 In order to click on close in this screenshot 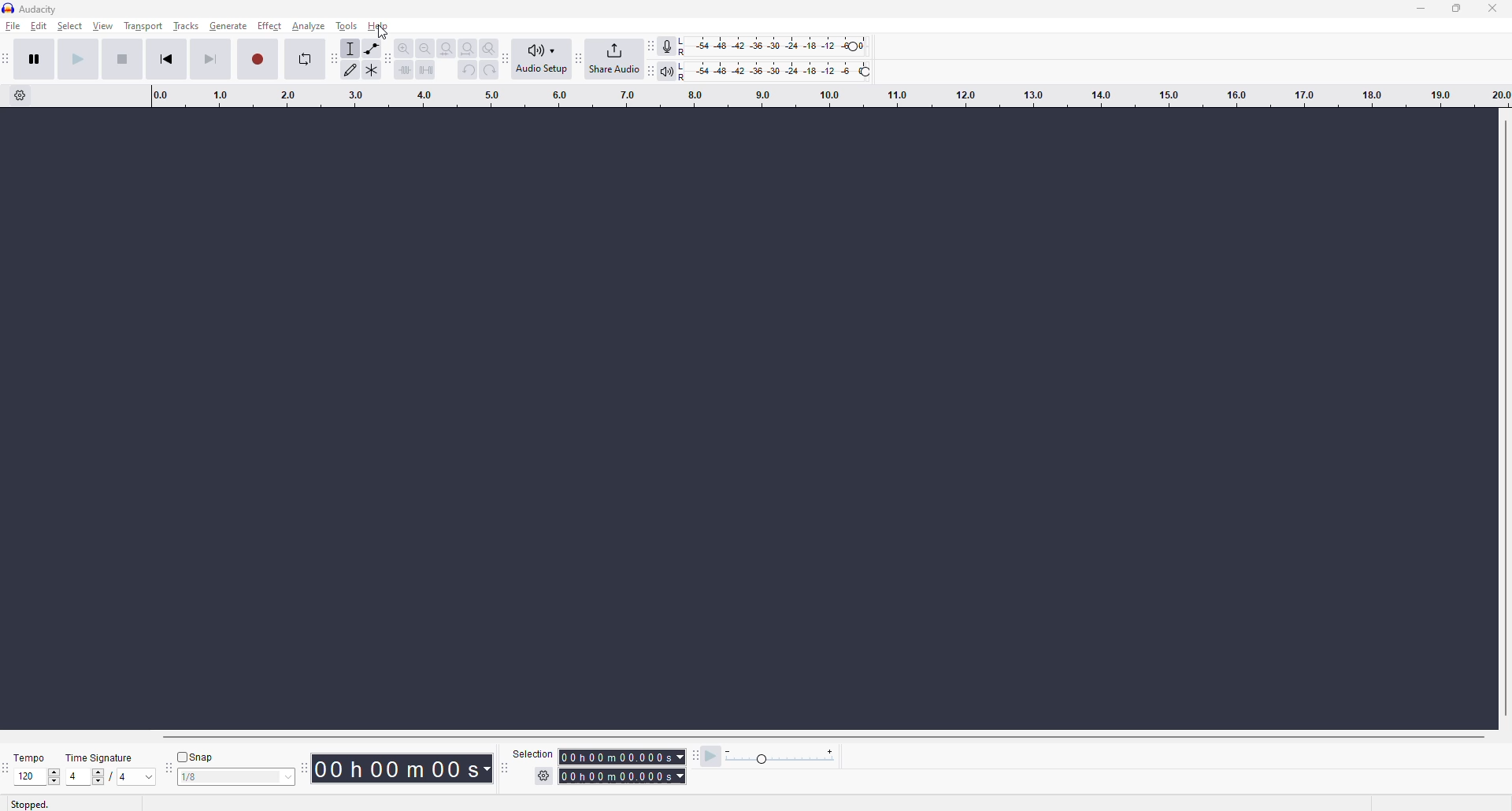, I will do `click(1492, 6)`.